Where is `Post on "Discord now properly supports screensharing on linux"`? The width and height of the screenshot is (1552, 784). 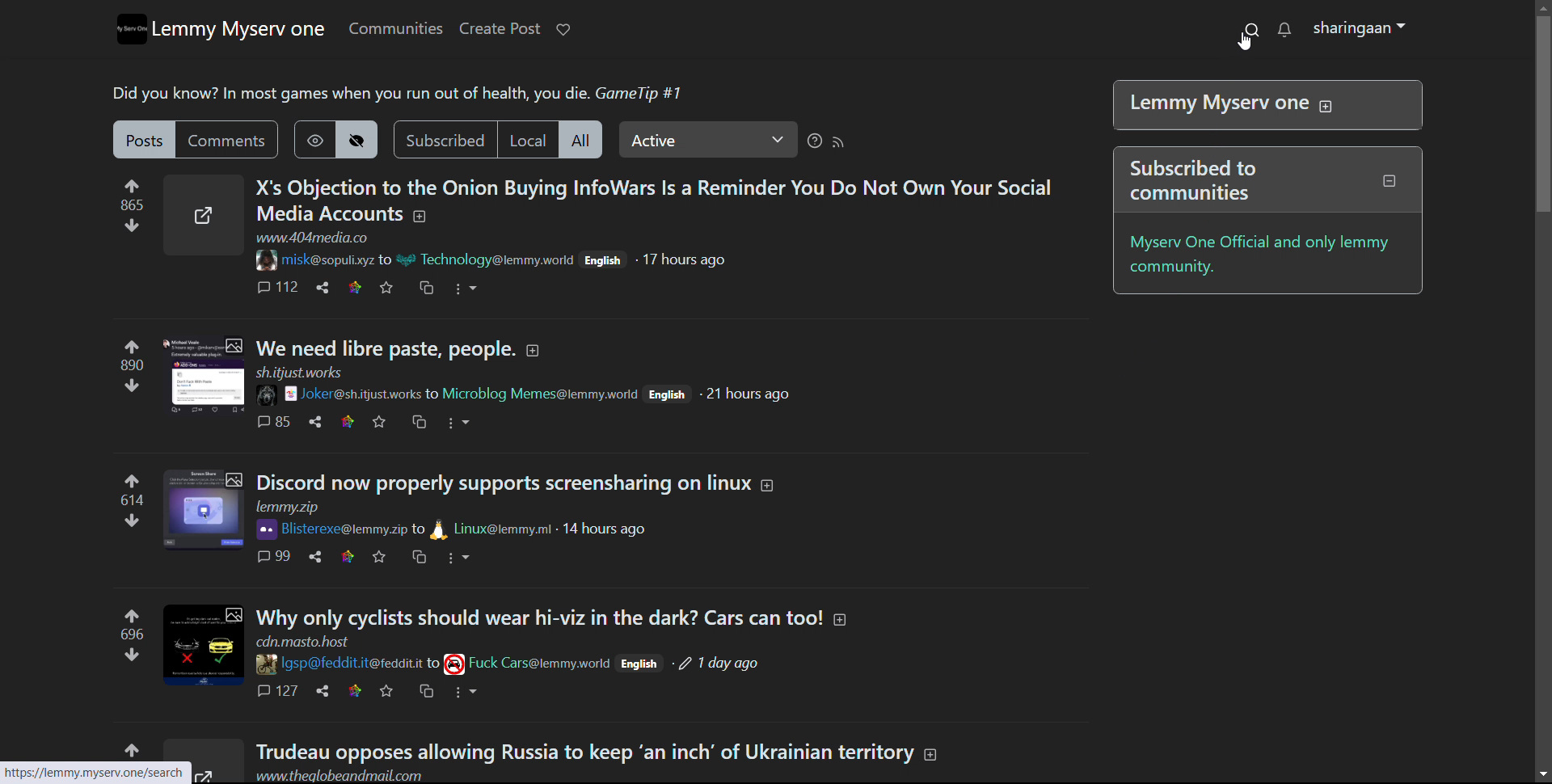 Post on "Discord now properly supports screensharing on linux" is located at coordinates (521, 491).